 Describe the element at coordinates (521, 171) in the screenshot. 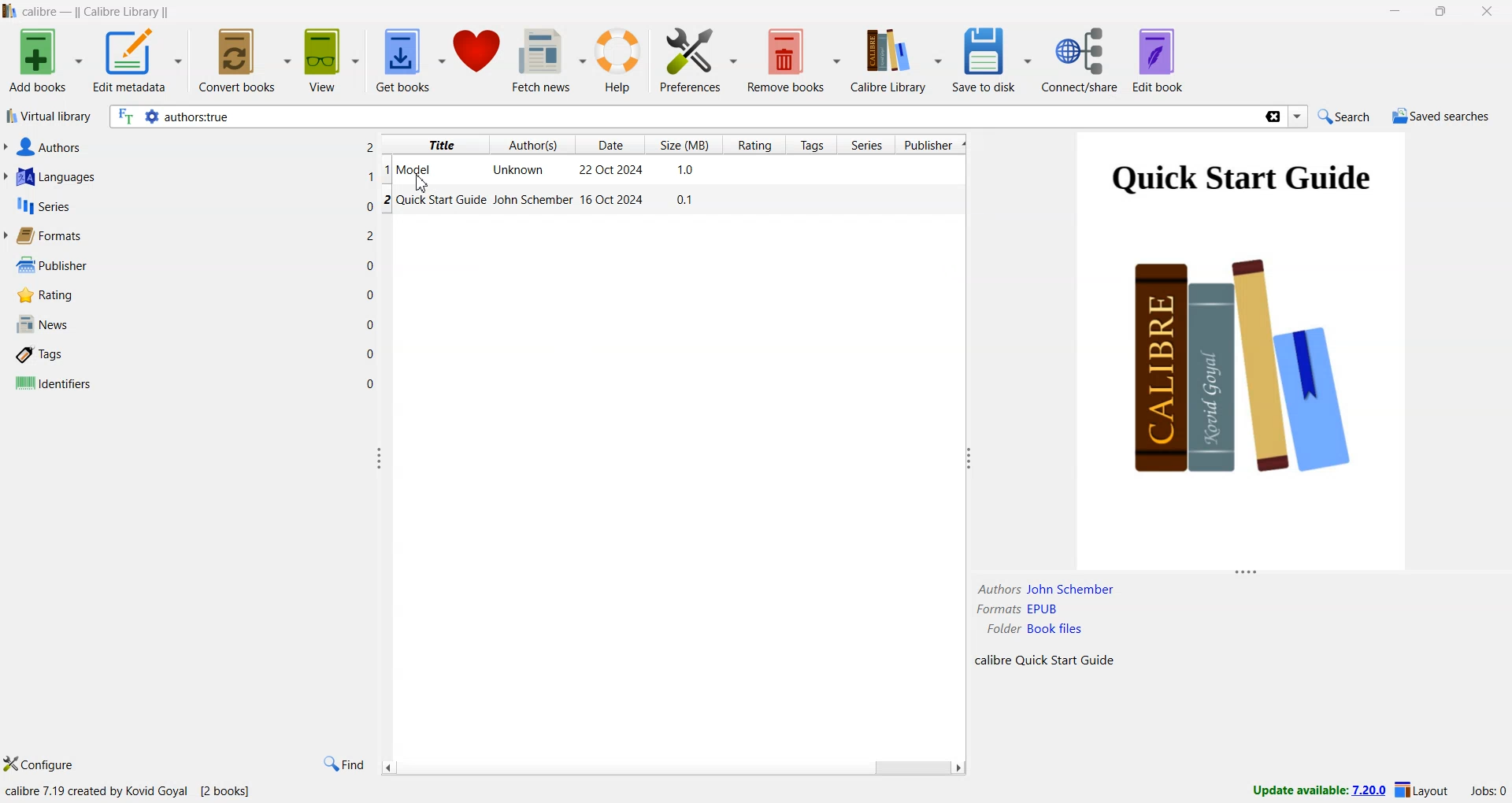

I see `unknown` at that location.